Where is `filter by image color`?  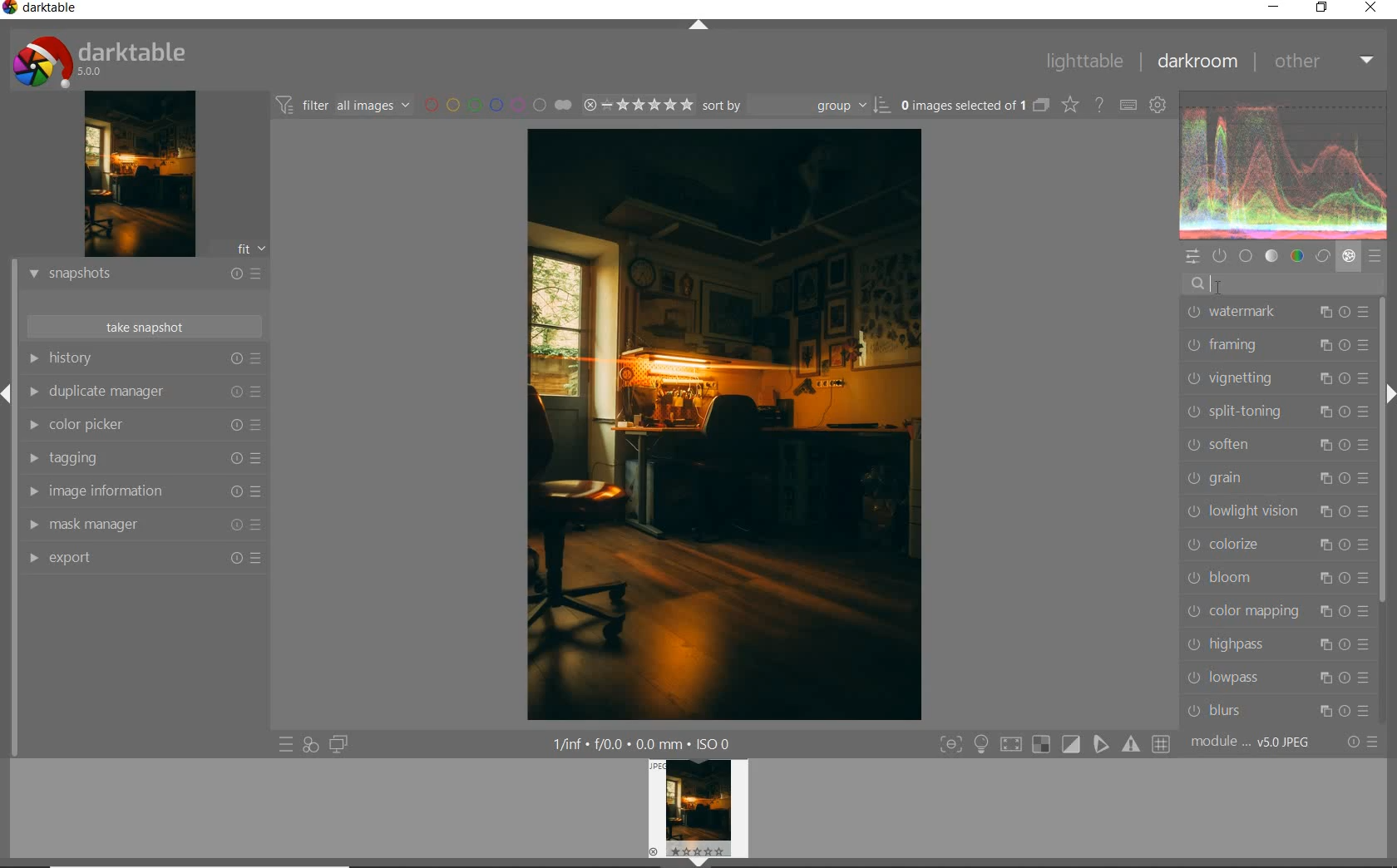
filter by image color is located at coordinates (498, 106).